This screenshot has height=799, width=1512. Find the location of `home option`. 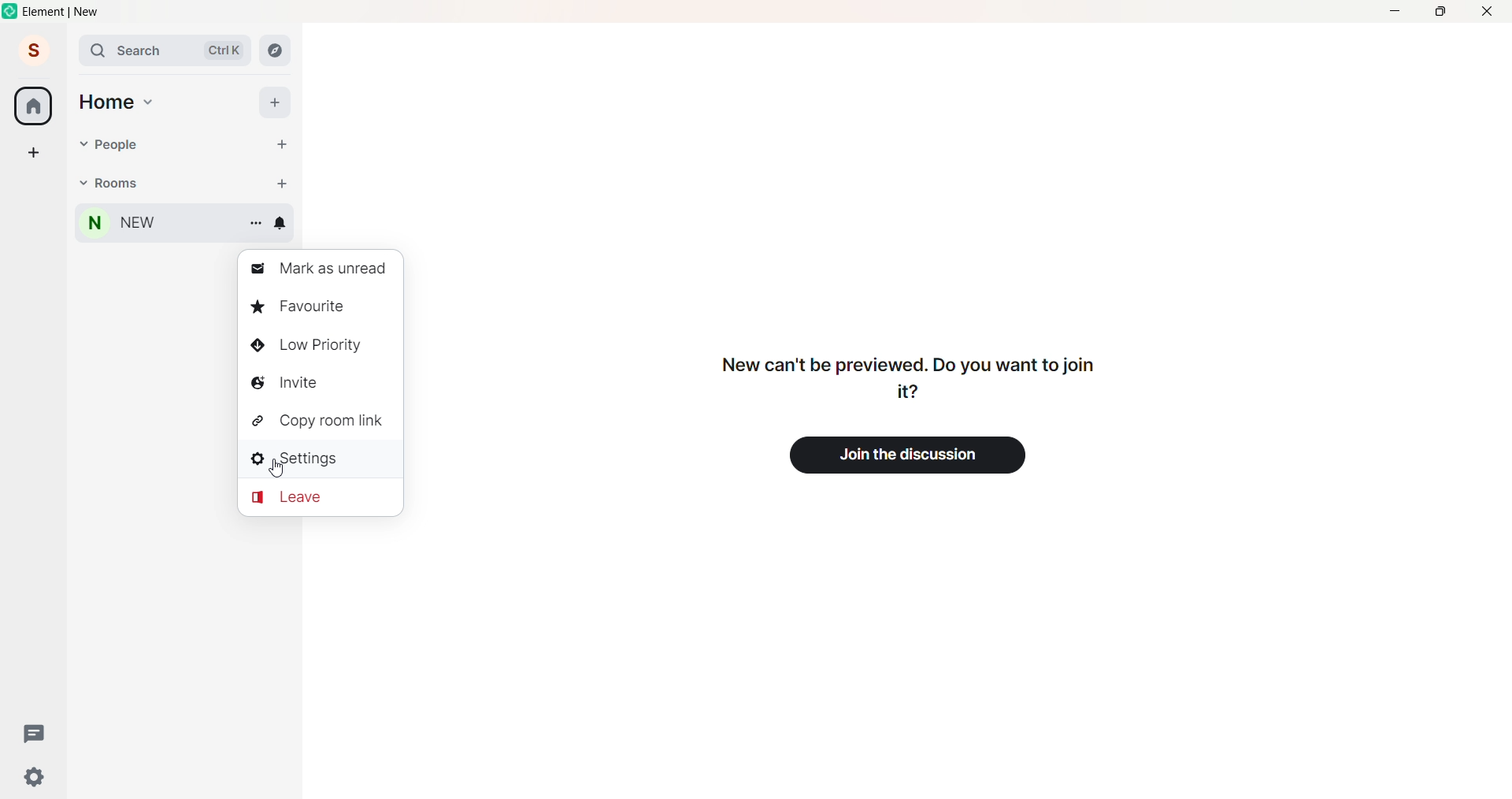

home option is located at coordinates (121, 105).